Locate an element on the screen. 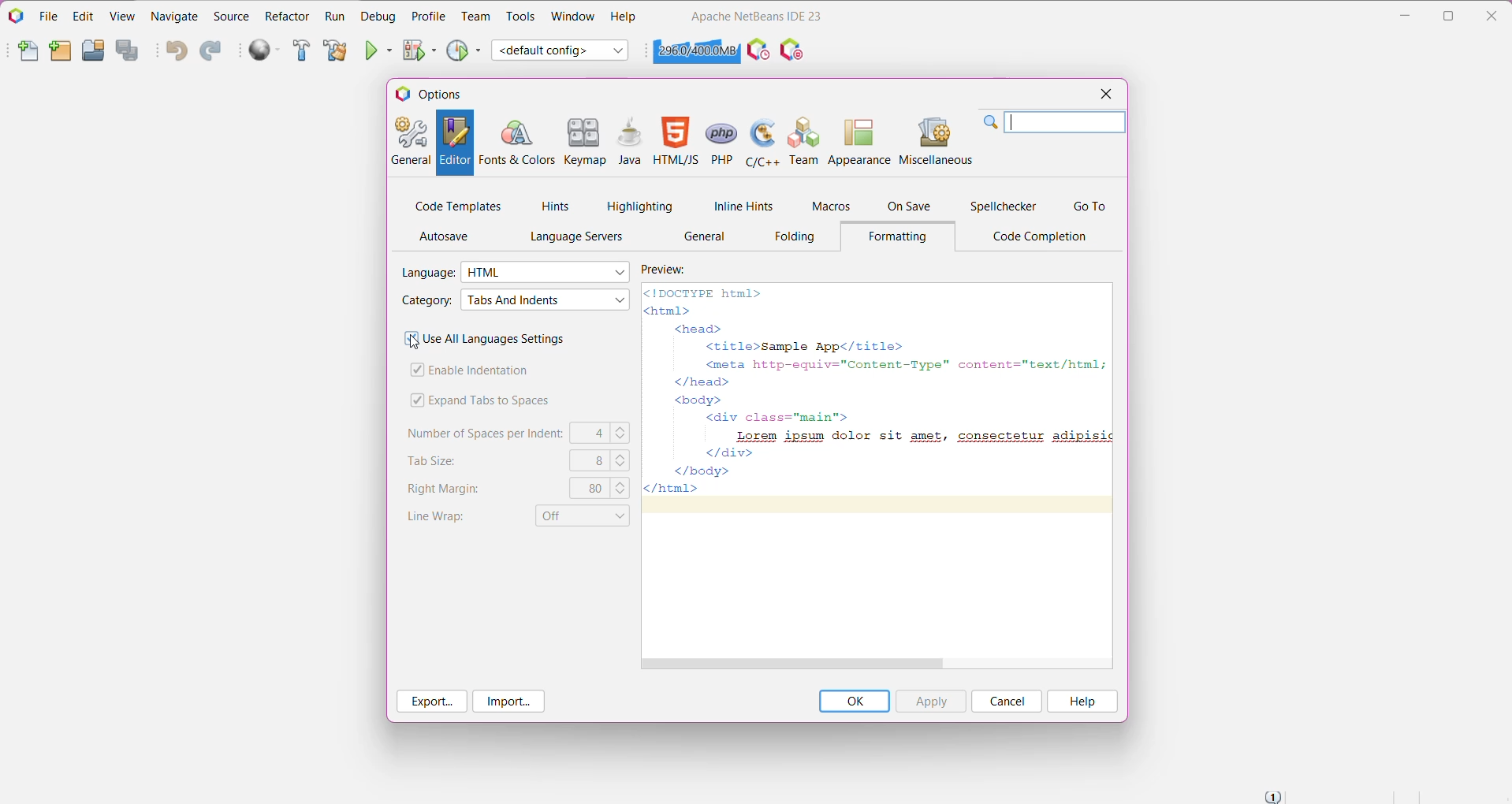  Select the required language is located at coordinates (547, 270).